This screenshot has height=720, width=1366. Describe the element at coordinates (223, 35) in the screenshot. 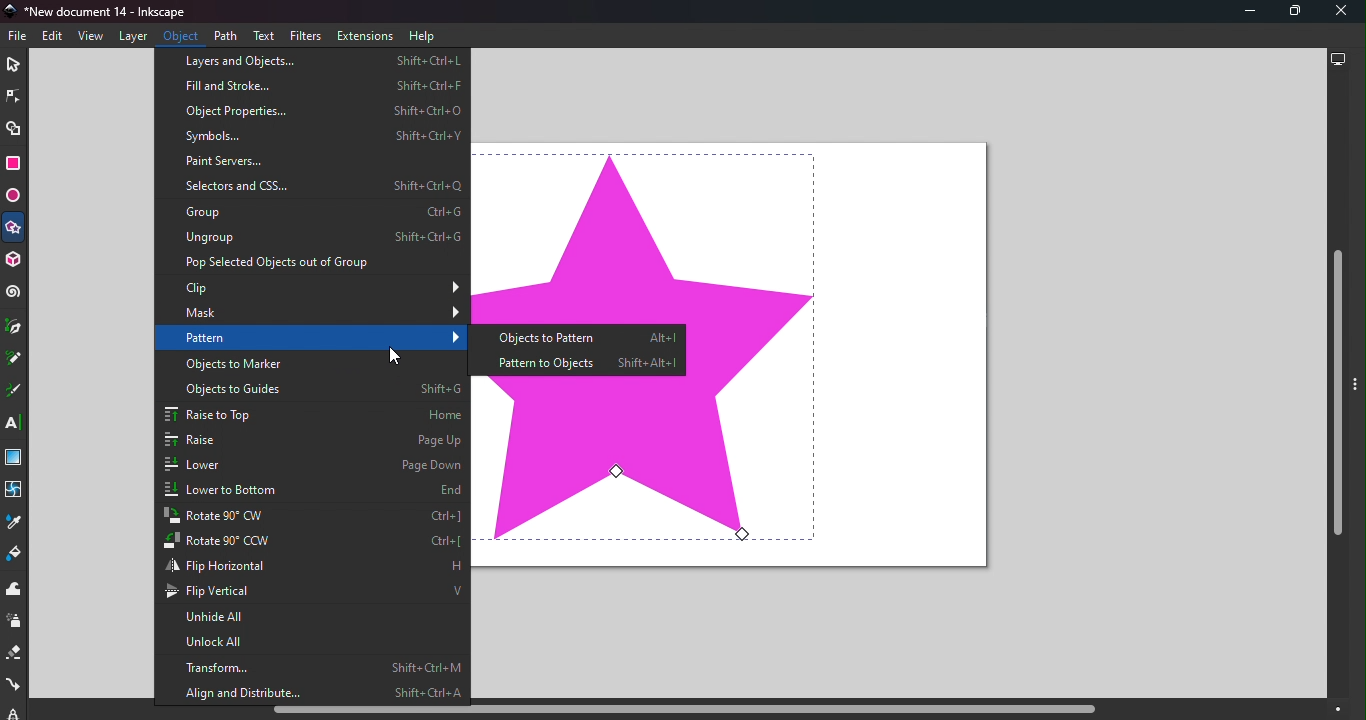

I see `Path` at that location.